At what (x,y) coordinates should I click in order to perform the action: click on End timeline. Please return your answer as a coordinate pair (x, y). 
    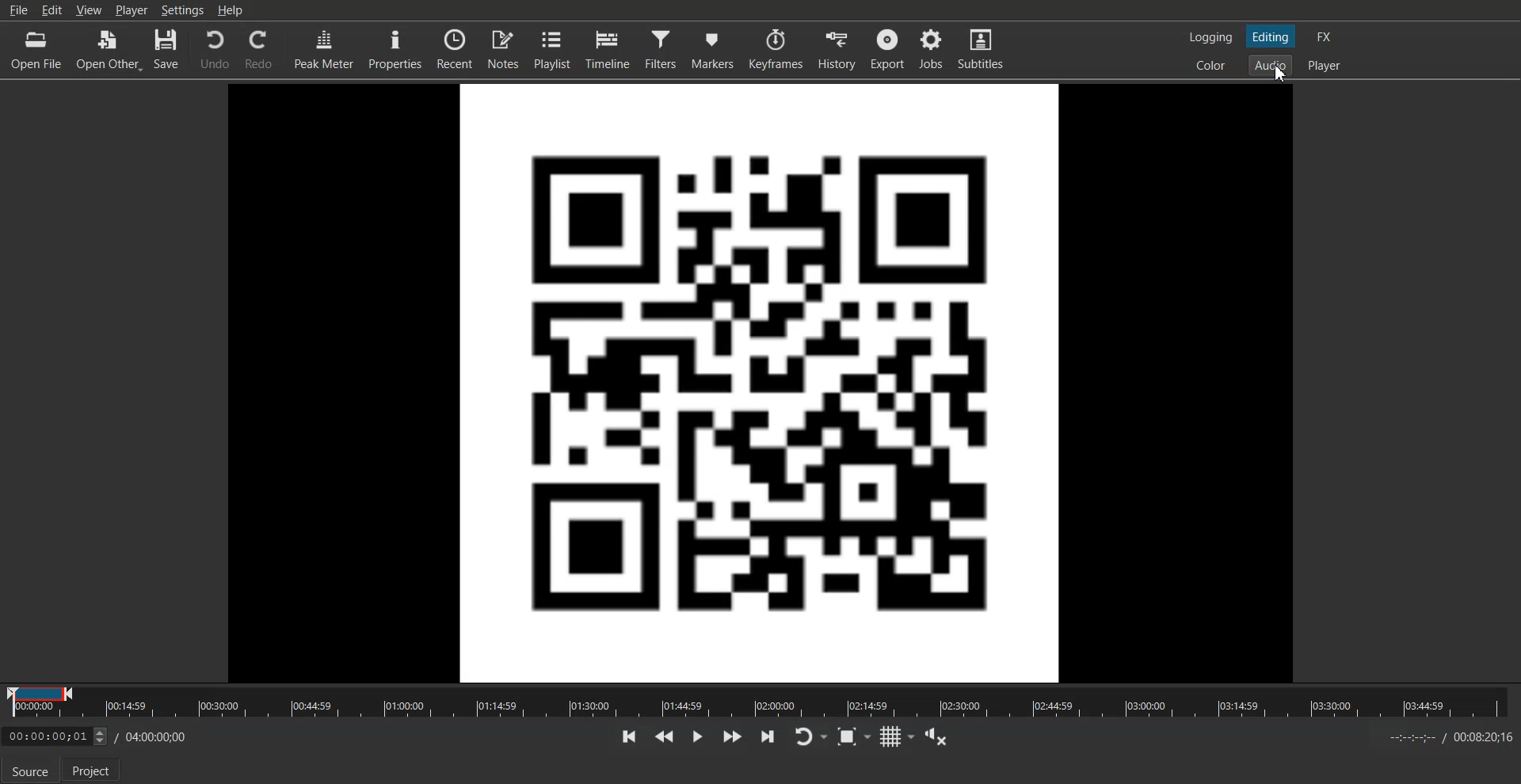
    Looking at the image, I should click on (1453, 736).